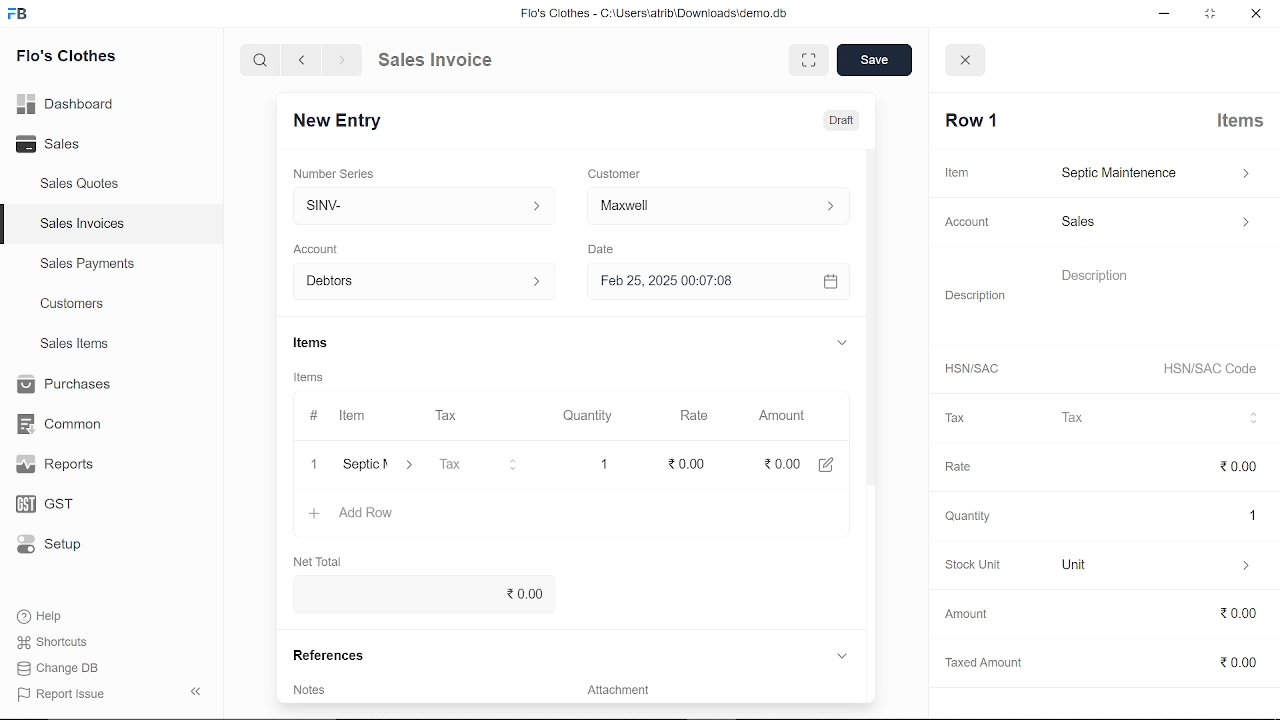 Image resolution: width=1280 pixels, height=720 pixels. What do you see at coordinates (338, 657) in the screenshot?
I see `References.` at bounding box center [338, 657].